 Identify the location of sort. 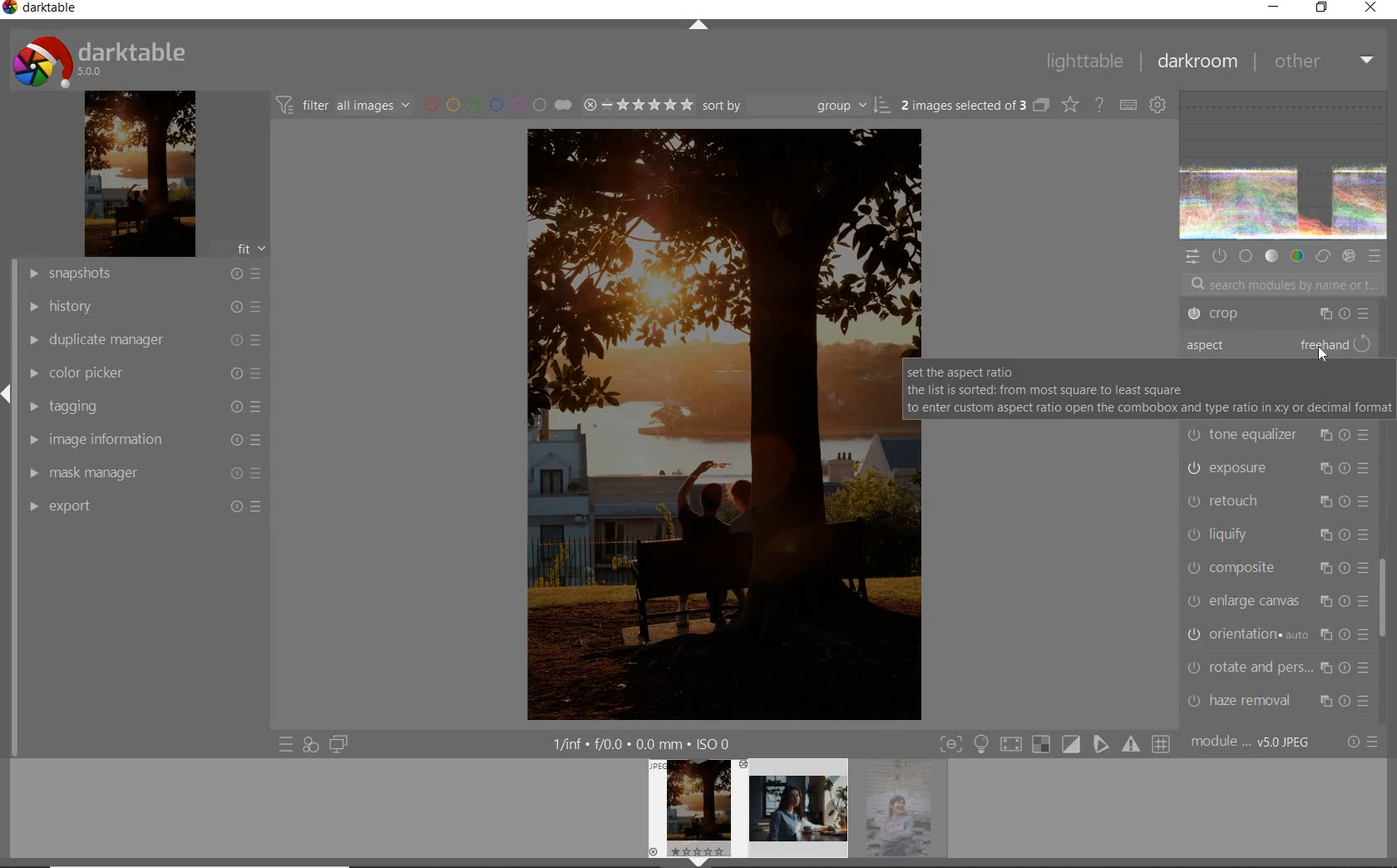
(797, 106).